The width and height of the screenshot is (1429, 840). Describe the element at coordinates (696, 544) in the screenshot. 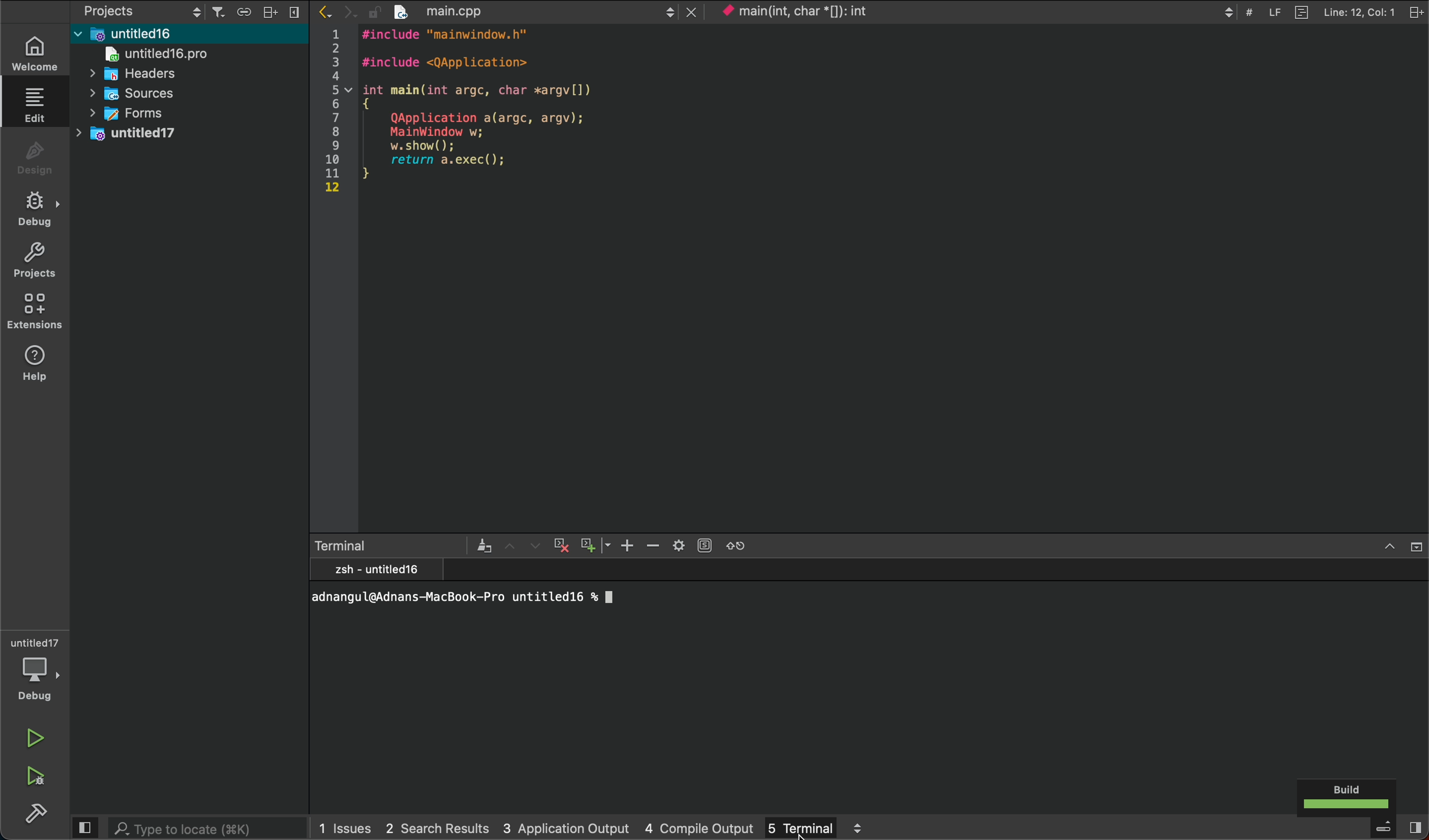

I see `setting` at that location.